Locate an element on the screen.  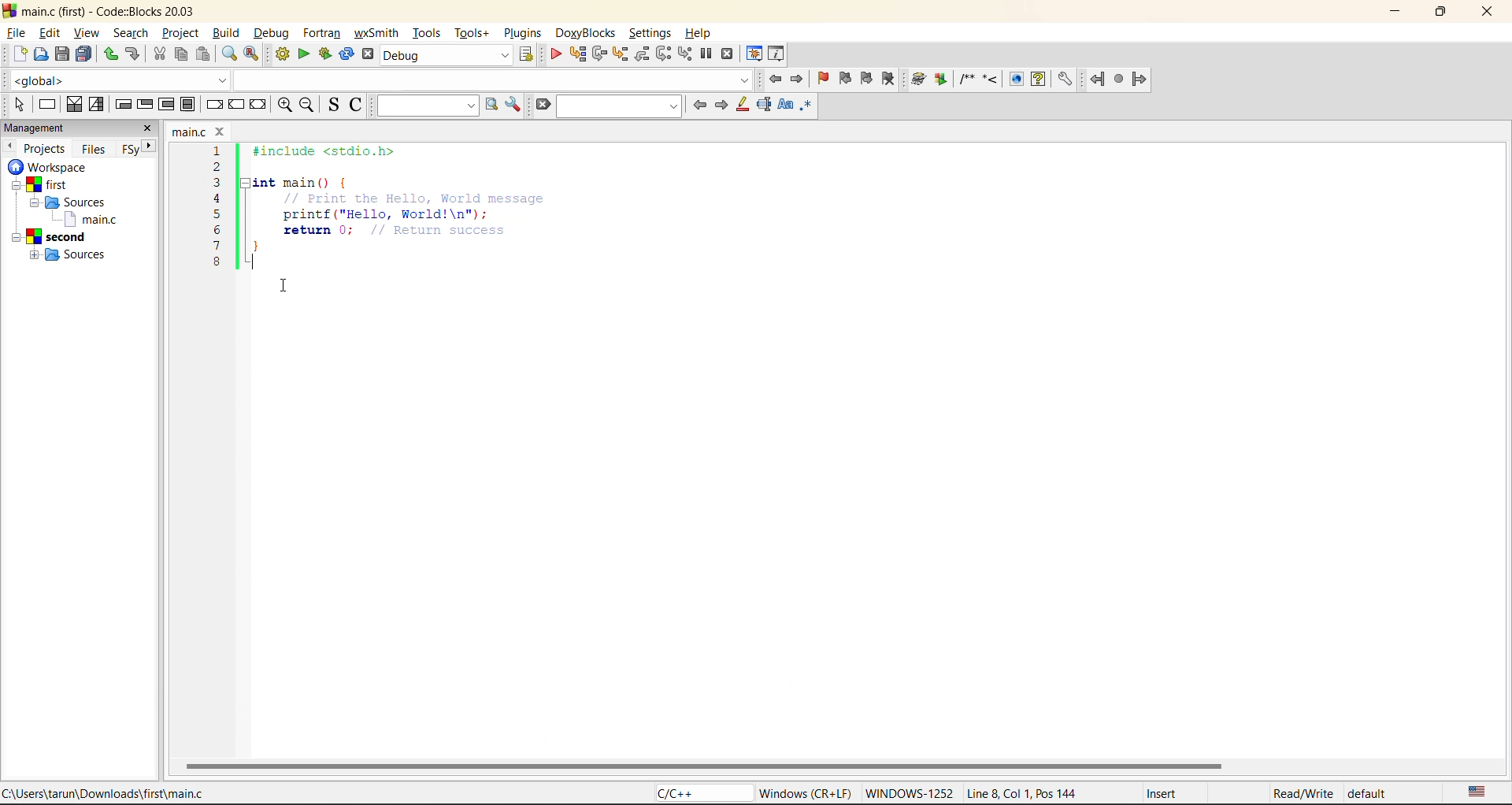
minimize is located at coordinates (1398, 9).